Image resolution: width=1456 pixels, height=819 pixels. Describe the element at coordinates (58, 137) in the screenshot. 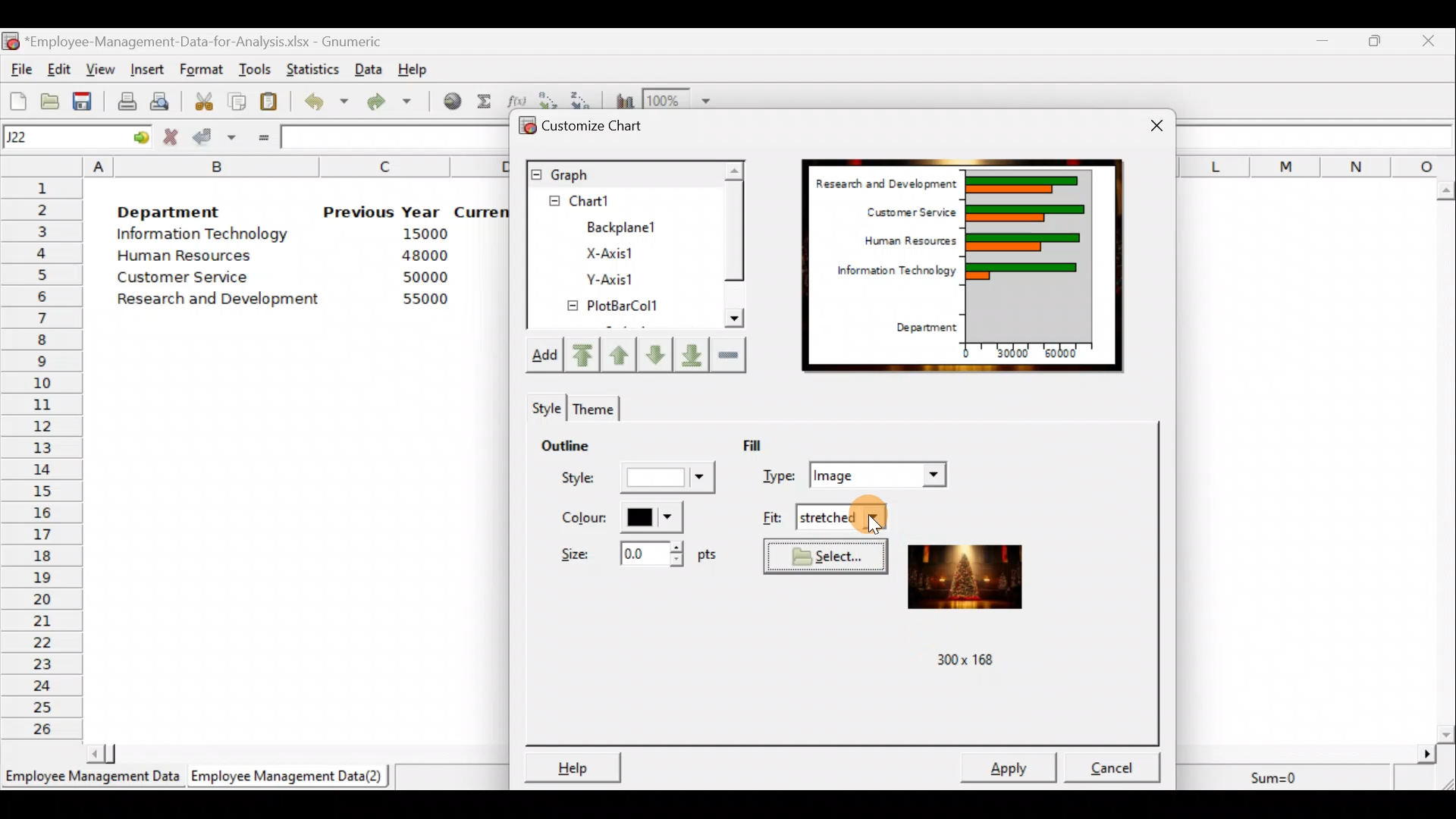

I see `Cell name J22` at that location.